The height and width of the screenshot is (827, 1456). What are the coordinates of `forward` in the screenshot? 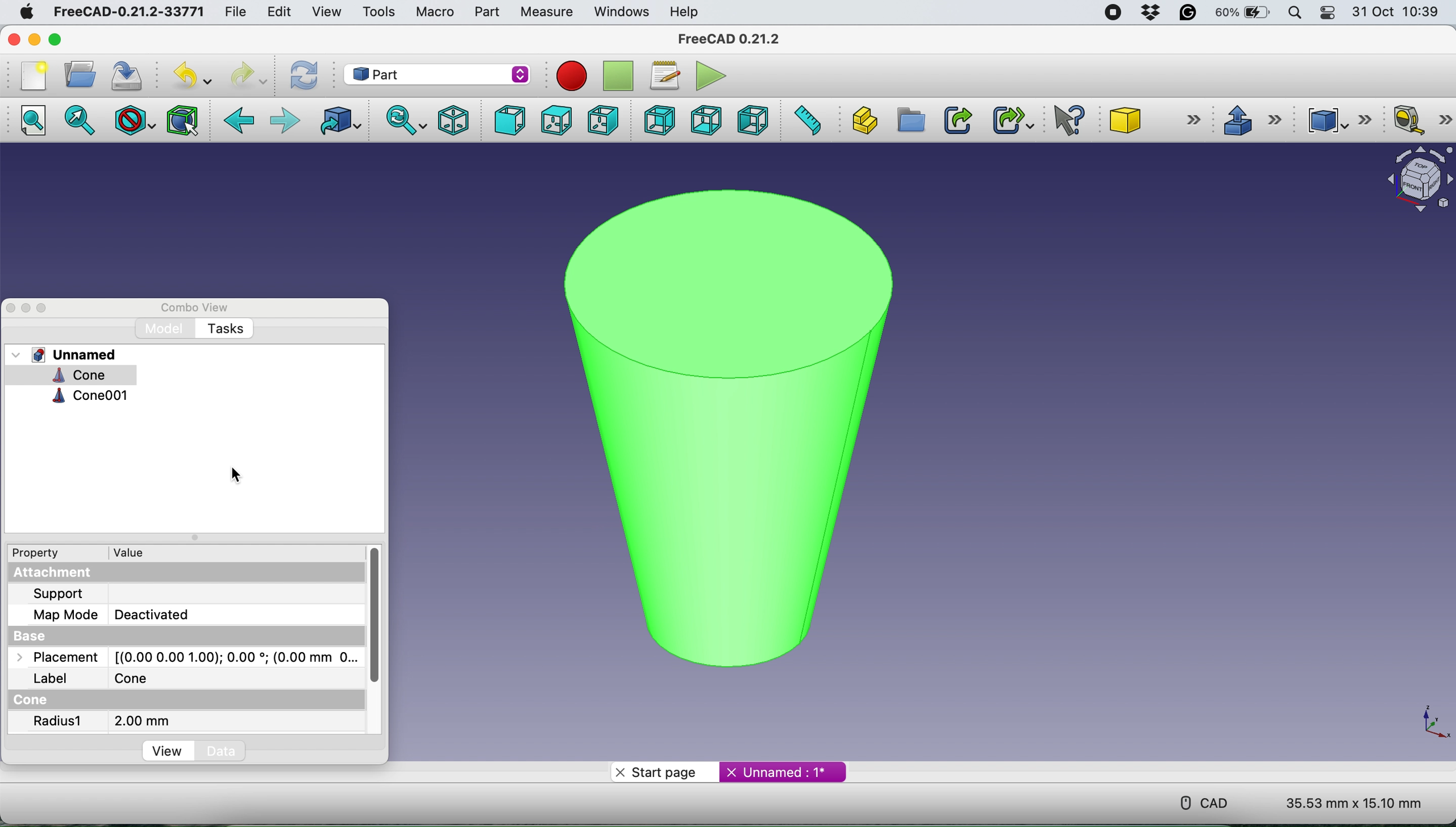 It's located at (284, 121).